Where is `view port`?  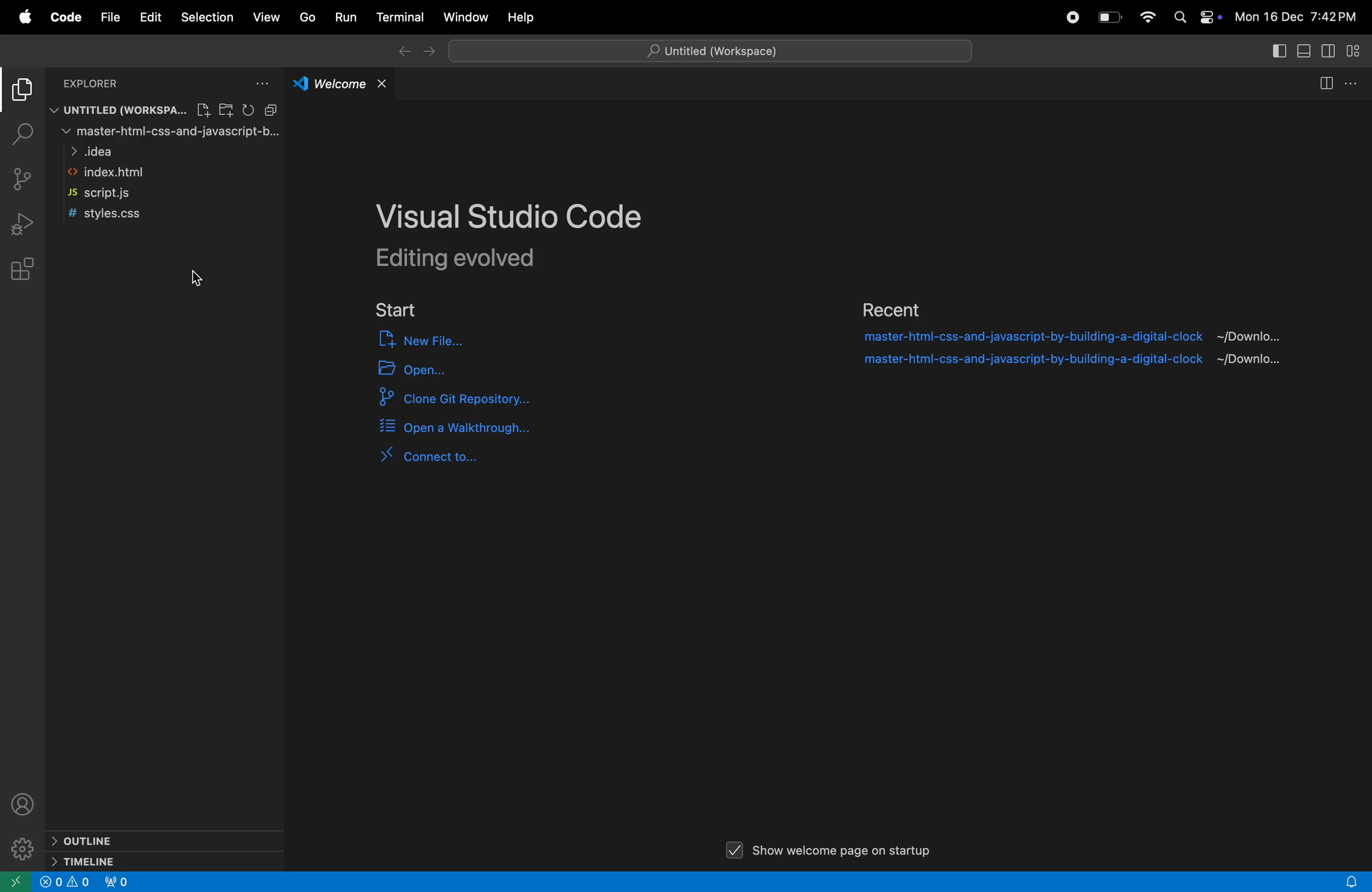
view port is located at coordinates (121, 881).